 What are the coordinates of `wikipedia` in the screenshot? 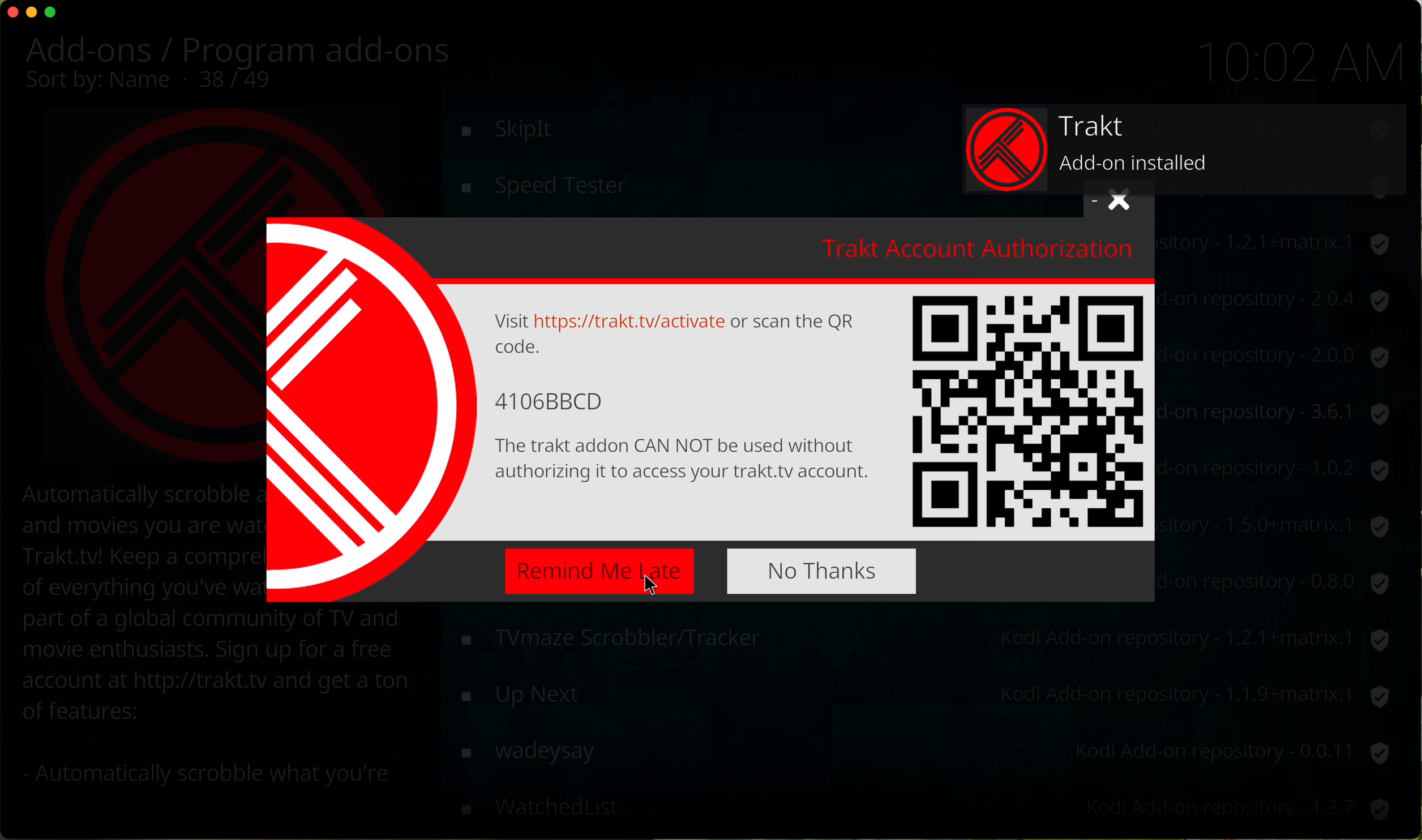 It's located at (922, 751).